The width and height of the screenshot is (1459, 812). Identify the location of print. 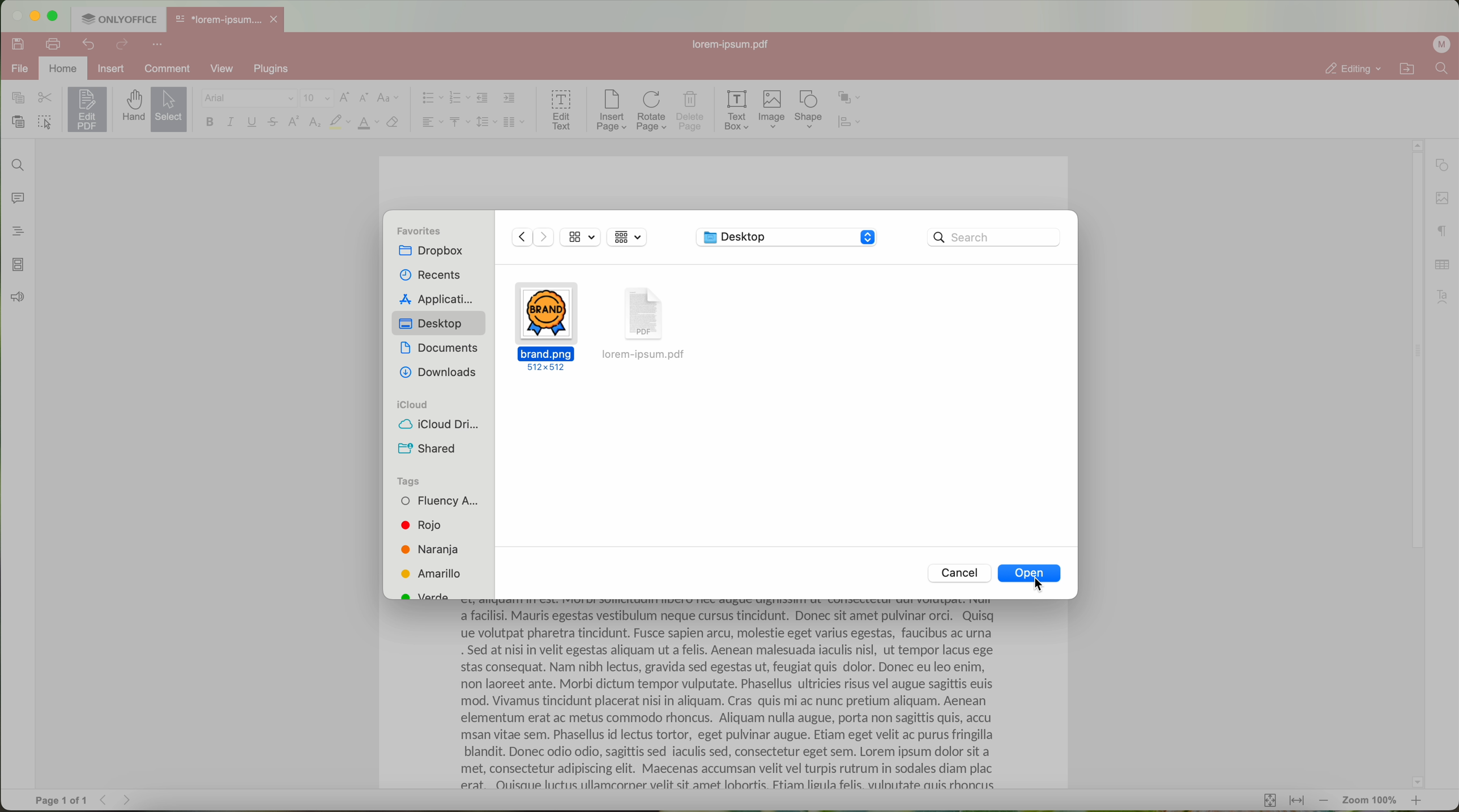
(54, 43).